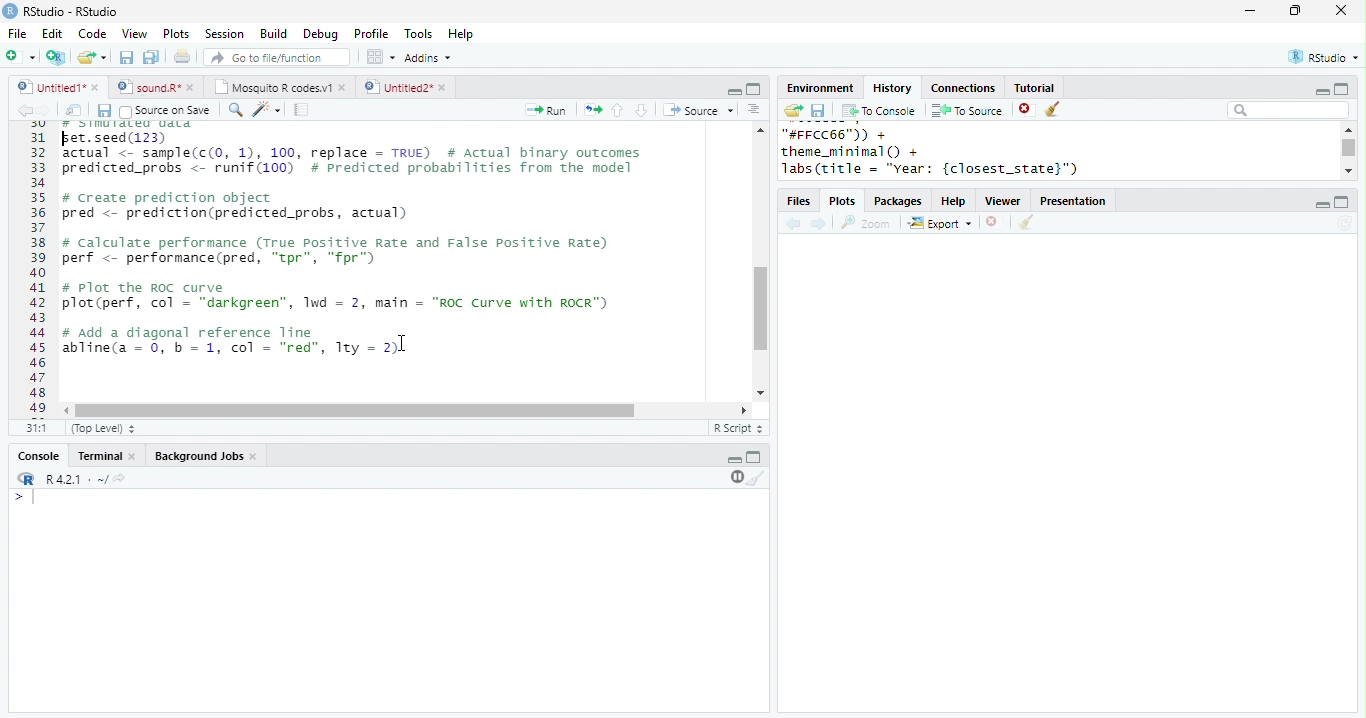  Describe the element at coordinates (20, 56) in the screenshot. I see `new file` at that location.